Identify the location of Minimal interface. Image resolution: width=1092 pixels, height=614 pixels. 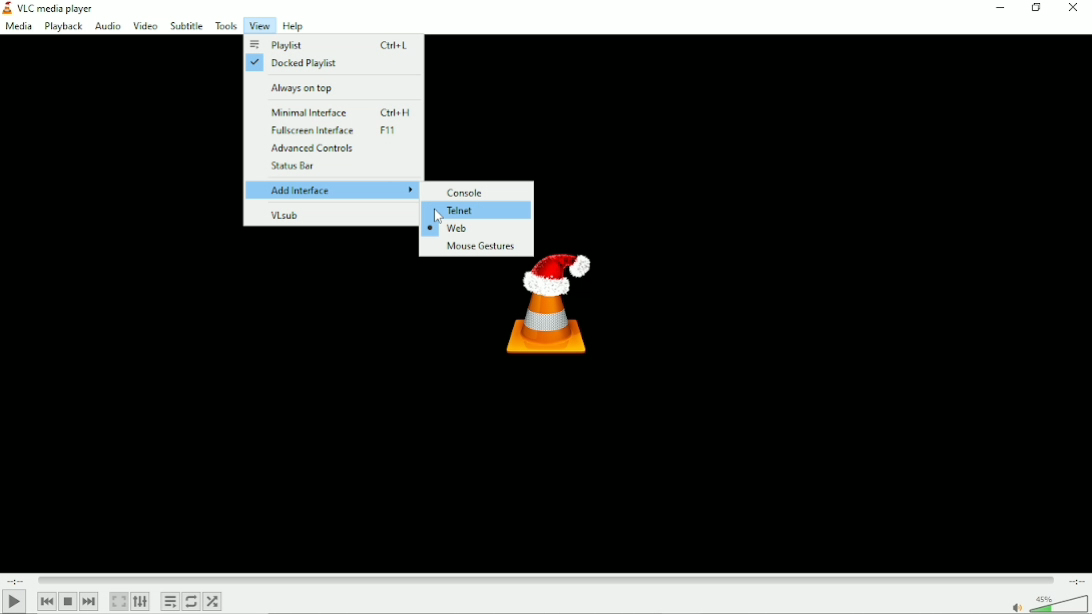
(345, 112).